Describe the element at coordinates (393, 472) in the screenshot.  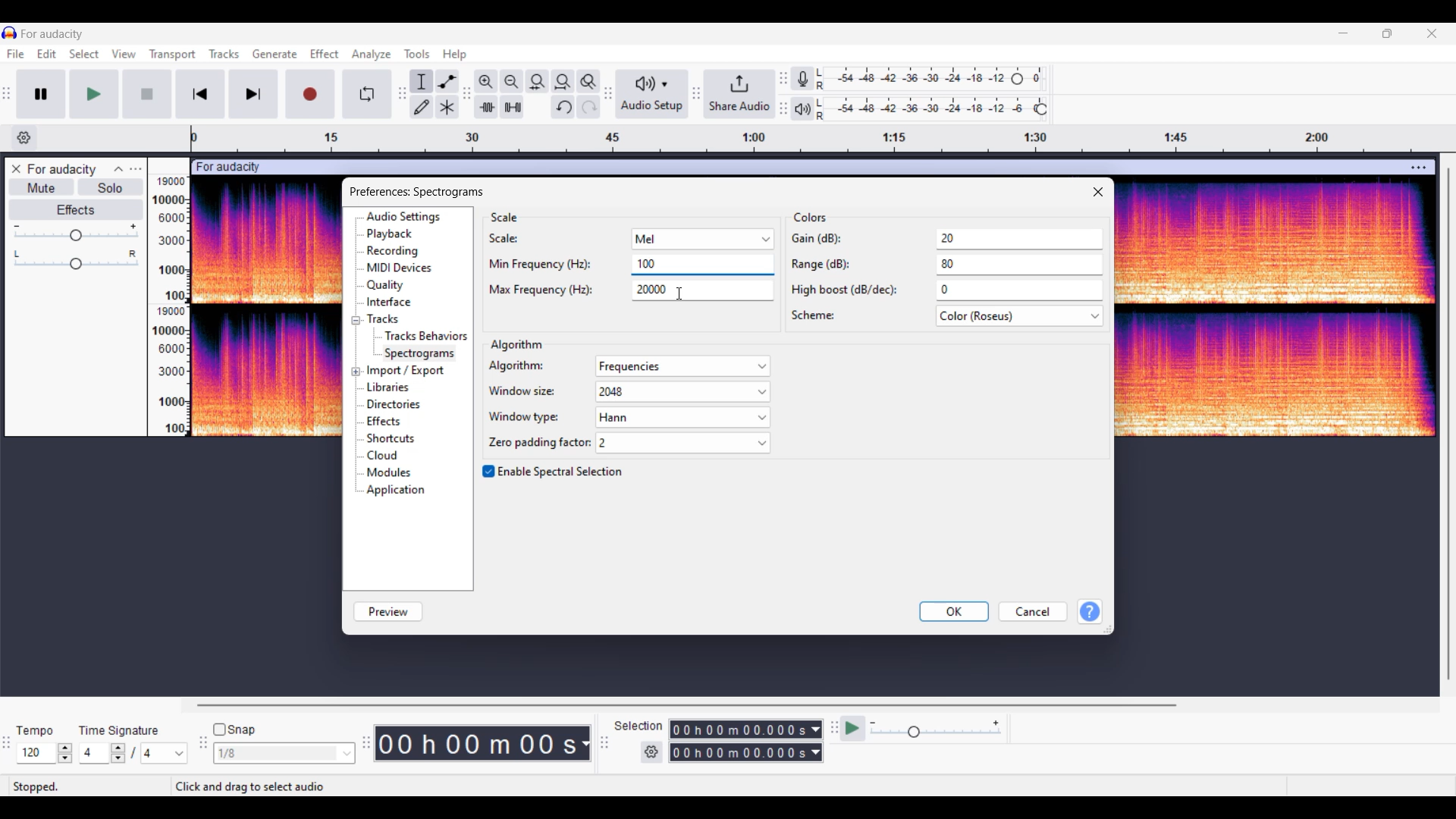
I see `modules` at that location.